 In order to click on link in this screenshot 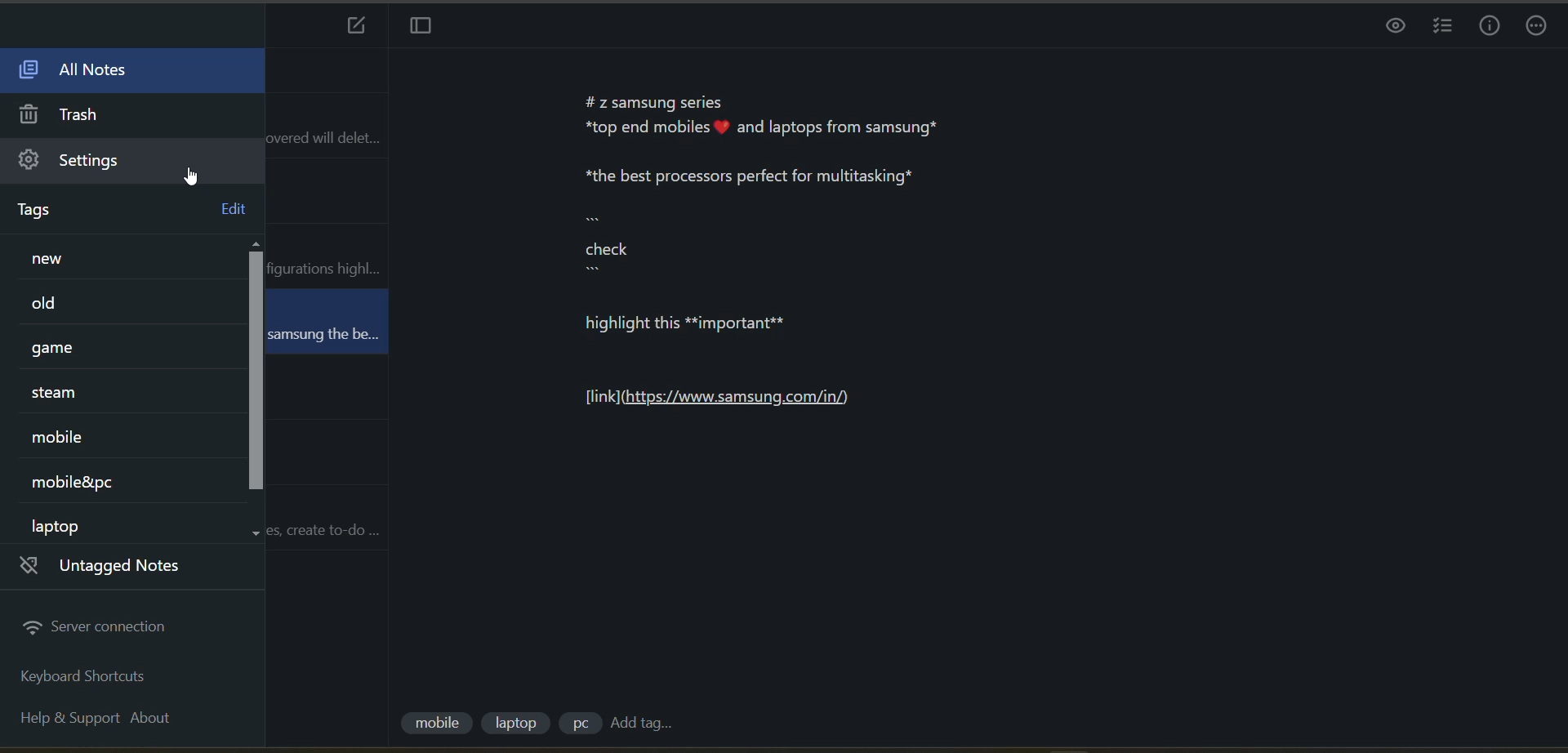, I will do `click(733, 404)`.